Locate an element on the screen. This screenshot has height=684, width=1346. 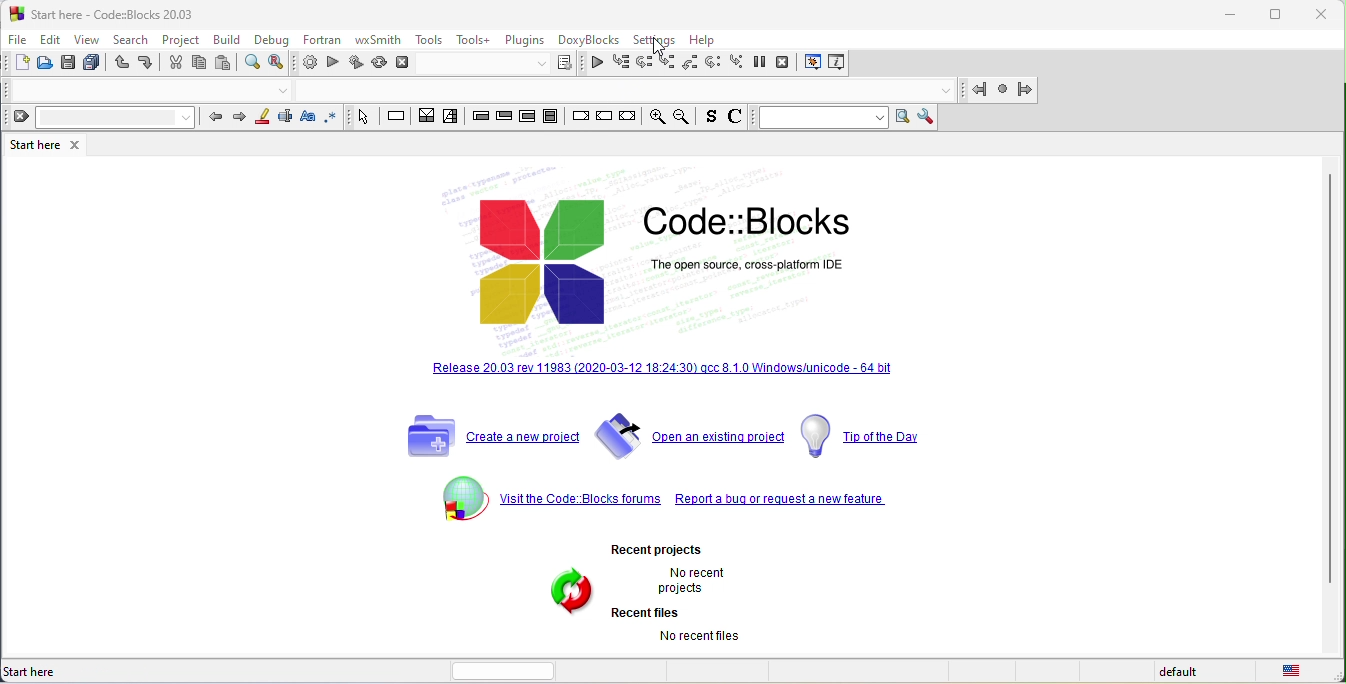
build and run is located at coordinates (359, 63).